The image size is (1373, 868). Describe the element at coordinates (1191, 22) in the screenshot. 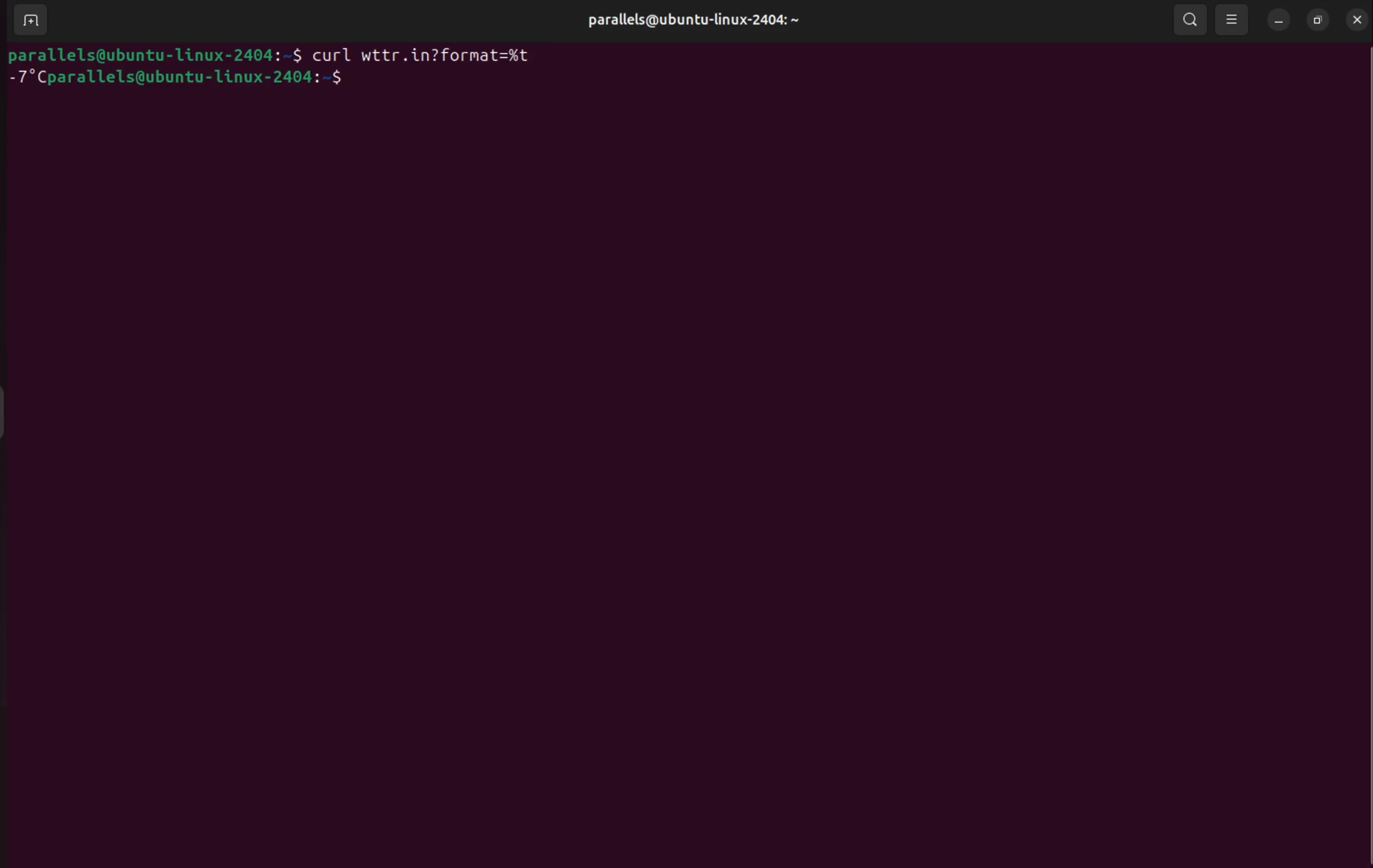

I see `search` at that location.